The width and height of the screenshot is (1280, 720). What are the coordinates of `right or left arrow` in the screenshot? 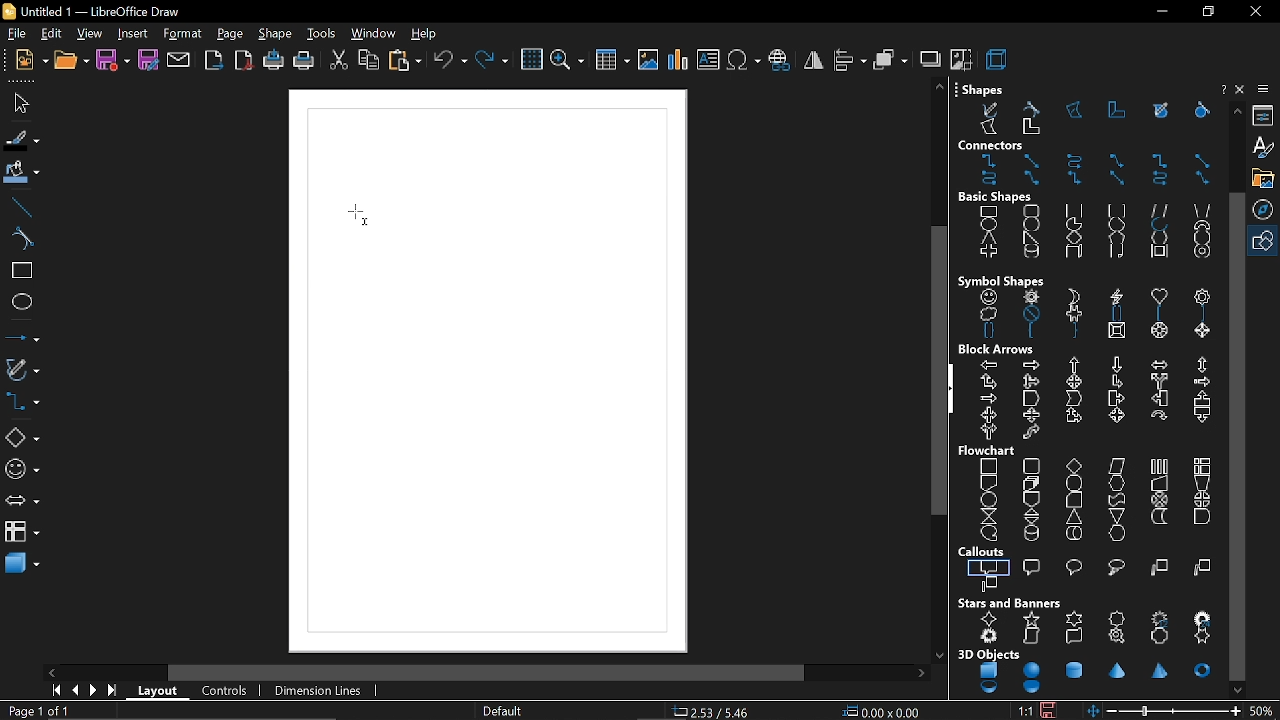 It's located at (986, 432).